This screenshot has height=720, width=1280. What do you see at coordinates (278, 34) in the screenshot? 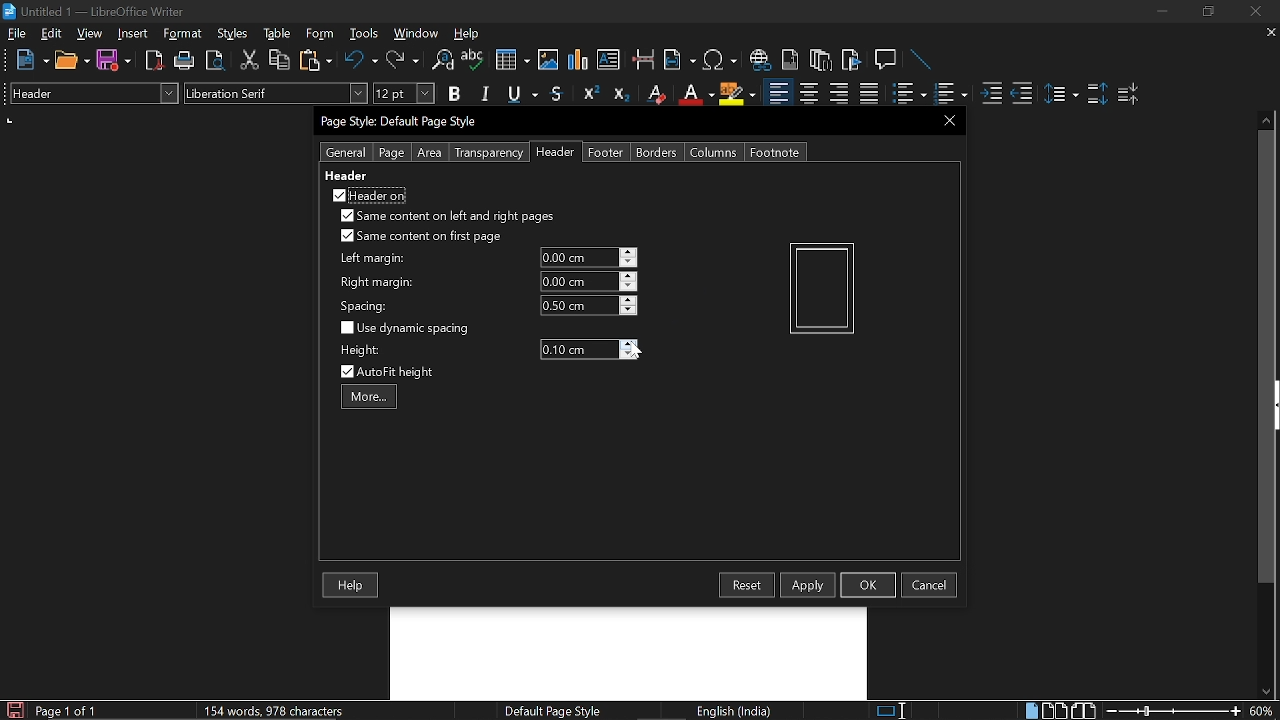
I see `table` at bounding box center [278, 34].